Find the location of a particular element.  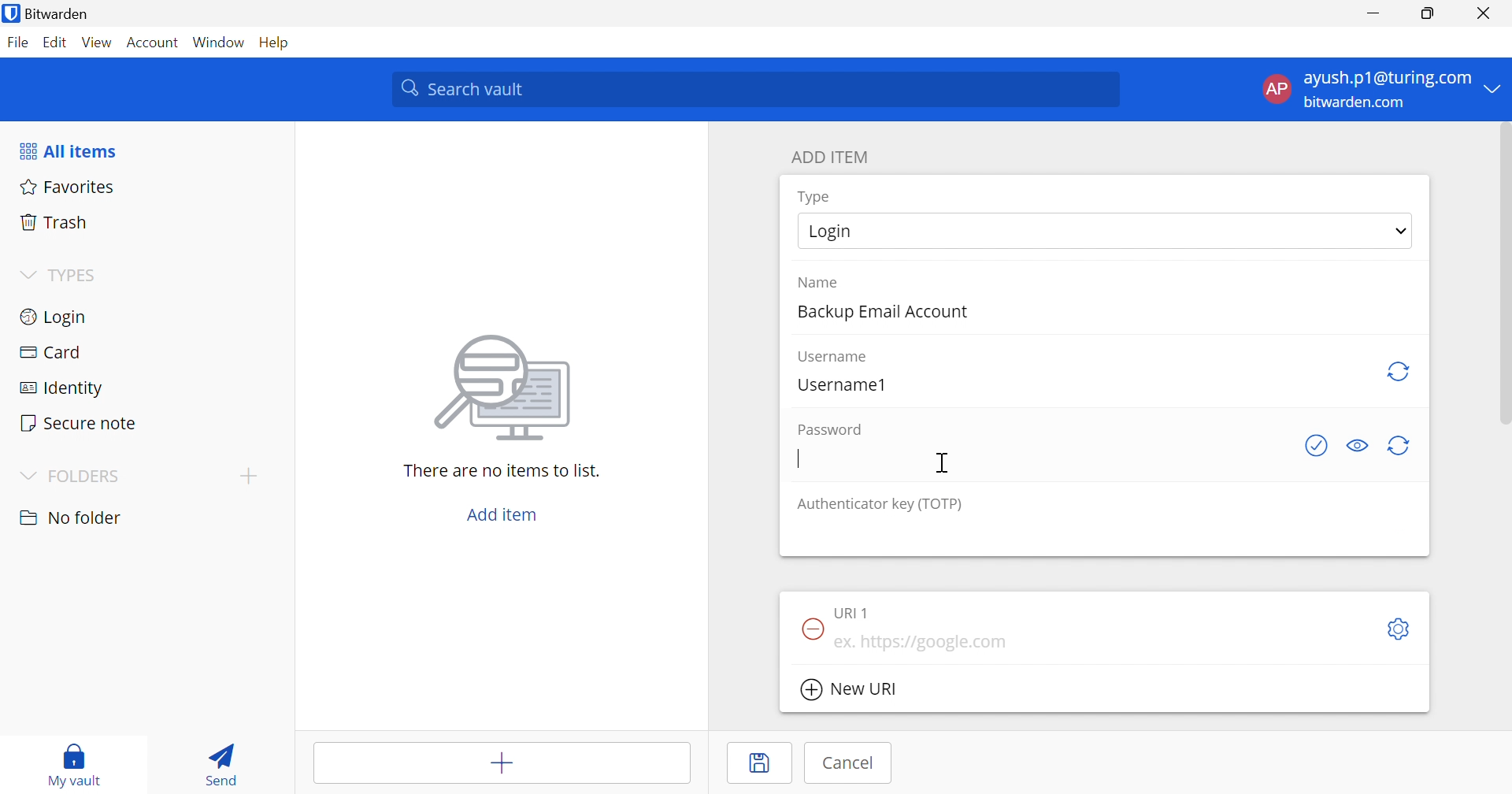

Cancel is located at coordinates (849, 763).